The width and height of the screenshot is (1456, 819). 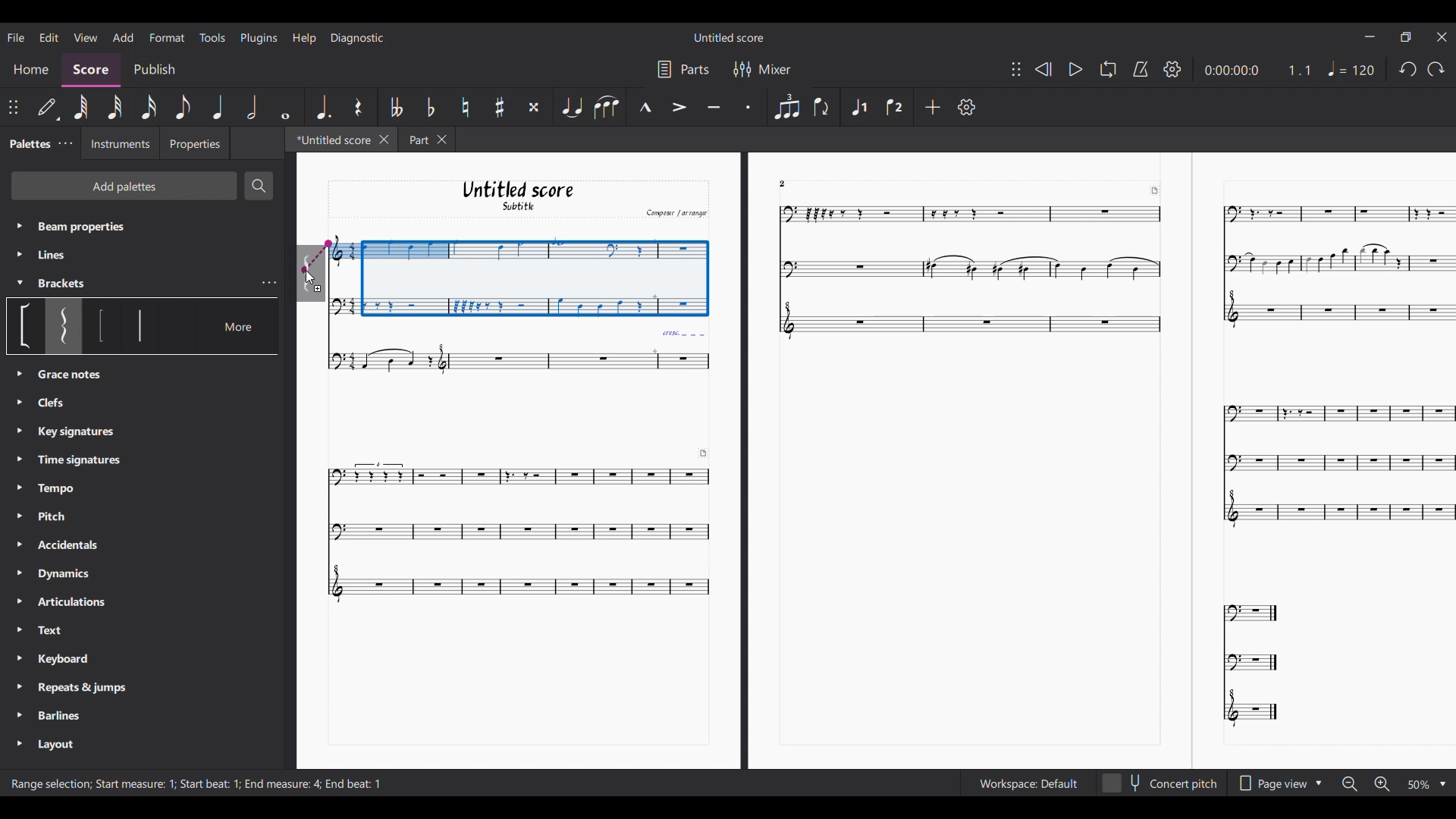 What do you see at coordinates (16, 36) in the screenshot?
I see `File` at bounding box center [16, 36].